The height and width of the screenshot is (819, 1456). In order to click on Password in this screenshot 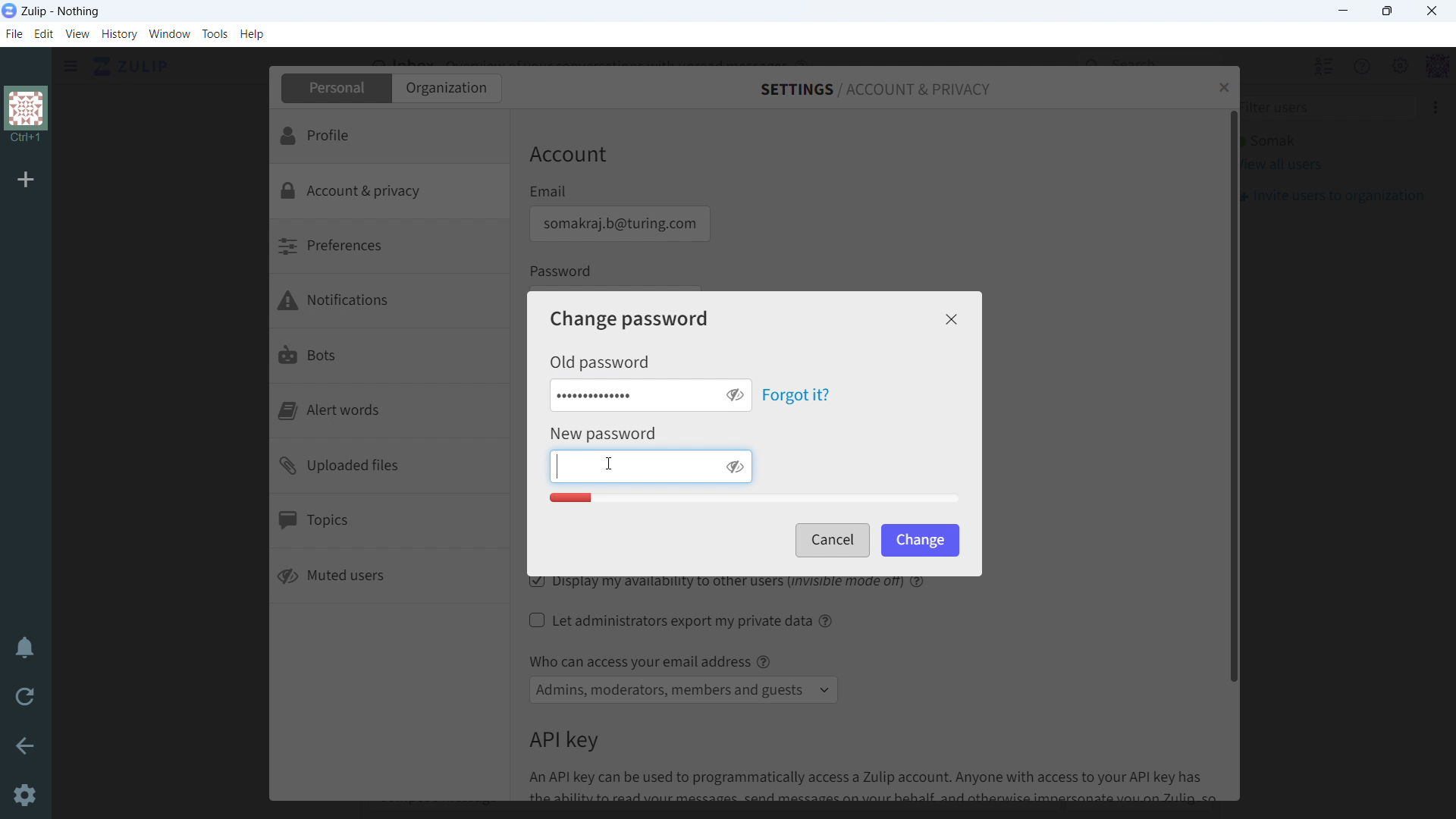, I will do `click(563, 271)`.